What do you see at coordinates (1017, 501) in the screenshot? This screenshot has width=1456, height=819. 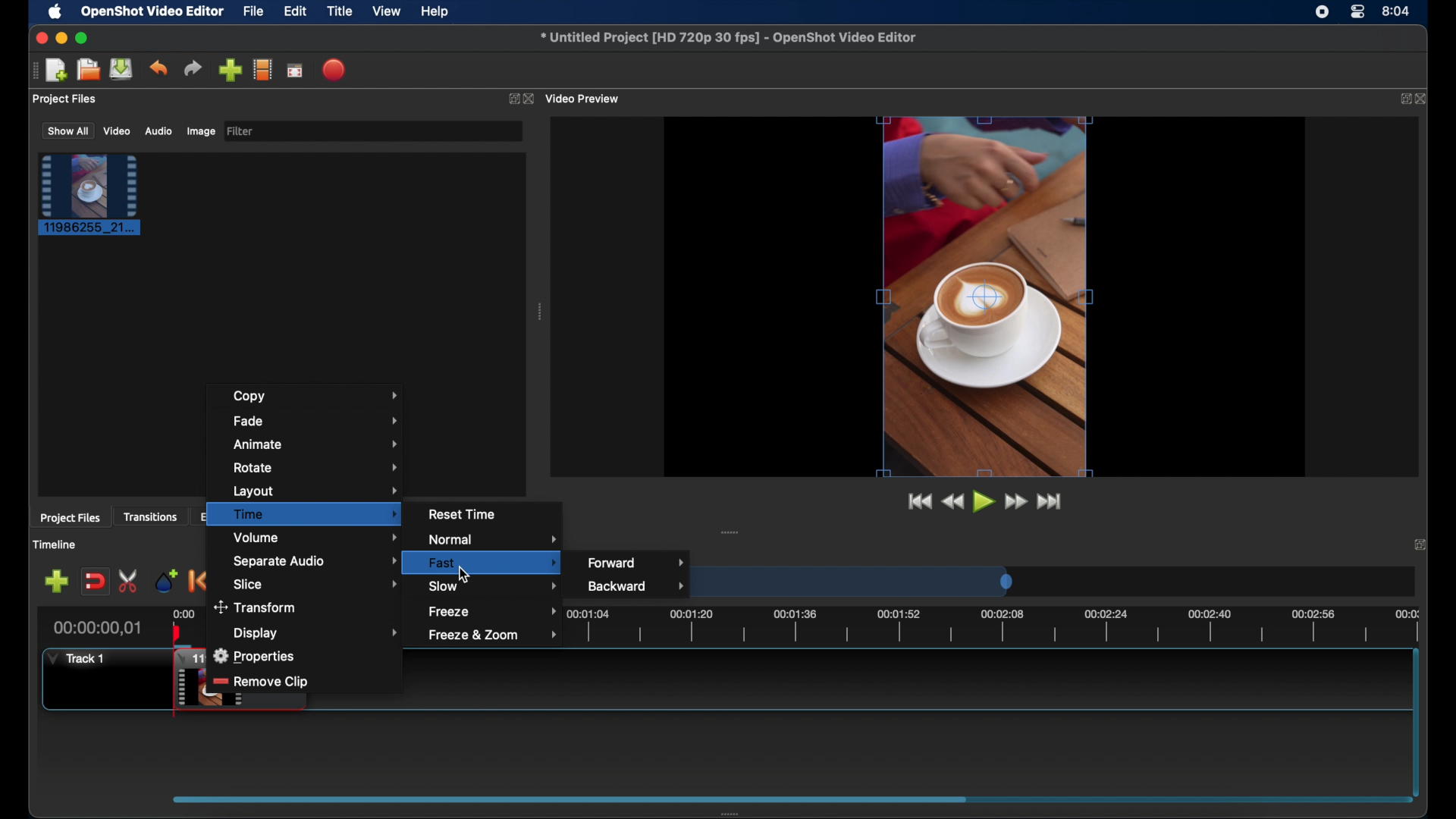 I see `fastfoward` at bounding box center [1017, 501].